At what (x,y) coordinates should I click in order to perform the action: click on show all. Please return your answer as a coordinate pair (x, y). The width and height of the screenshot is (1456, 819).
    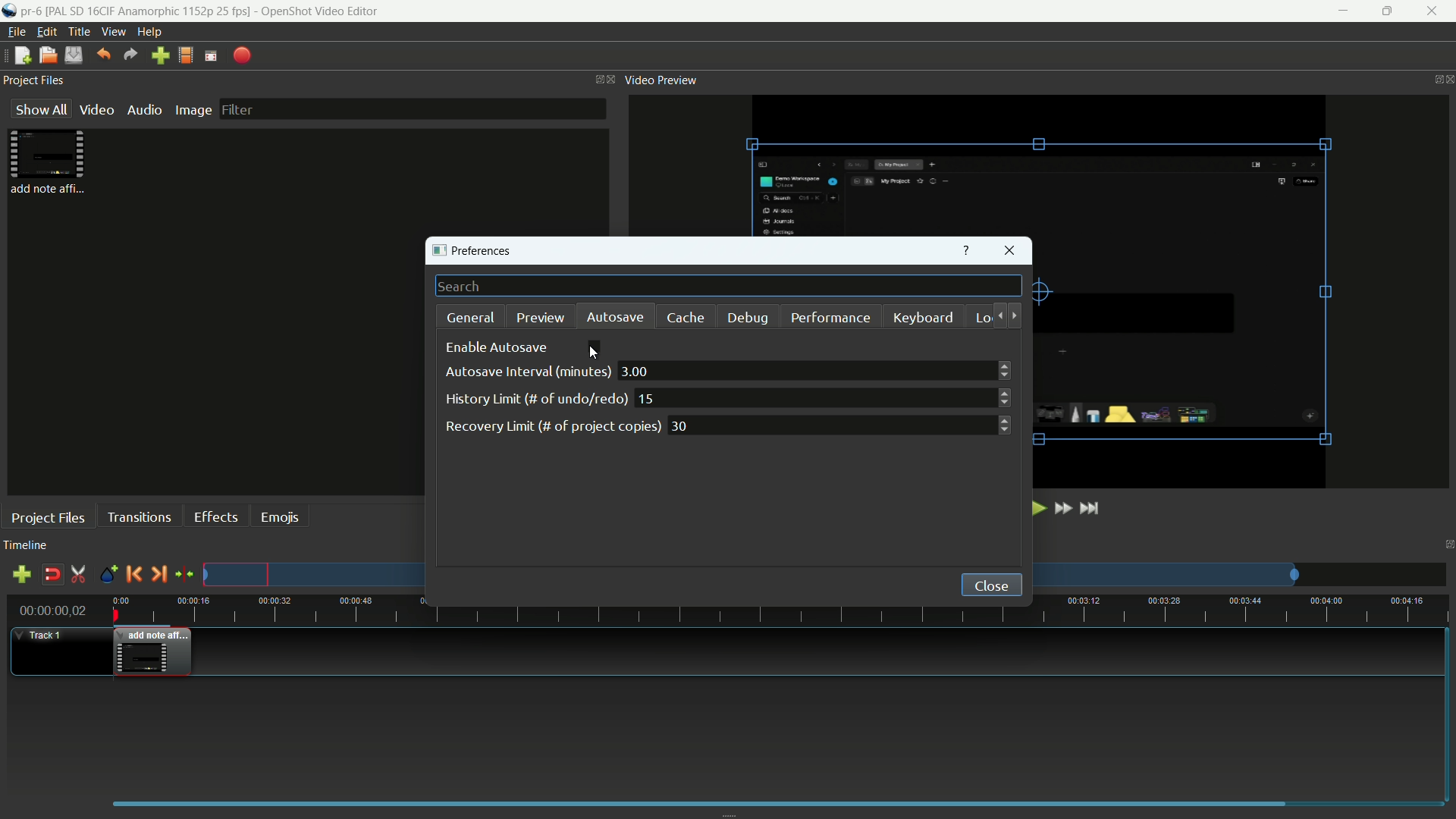
    Looking at the image, I should click on (39, 108).